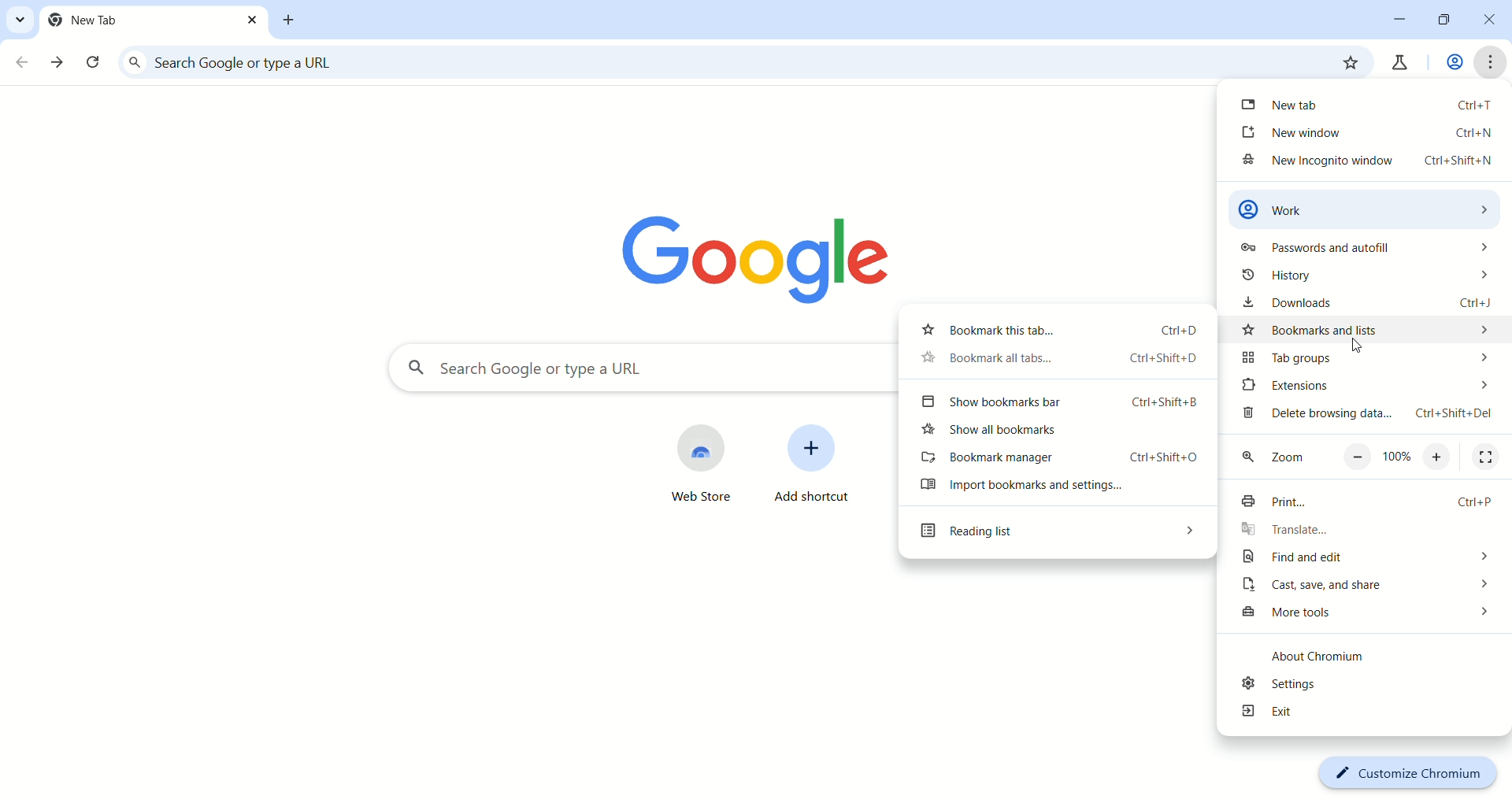  I want to click on history, so click(1362, 278).